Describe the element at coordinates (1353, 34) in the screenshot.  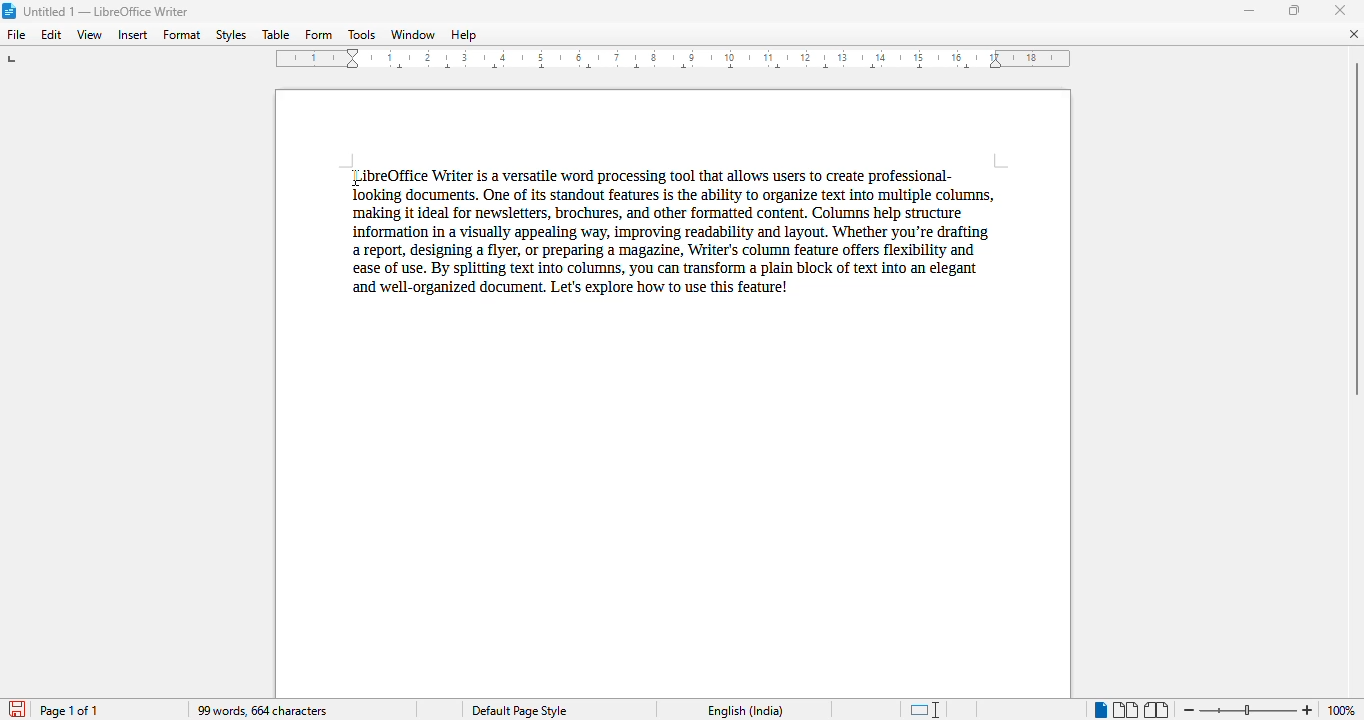
I see `close document` at that location.